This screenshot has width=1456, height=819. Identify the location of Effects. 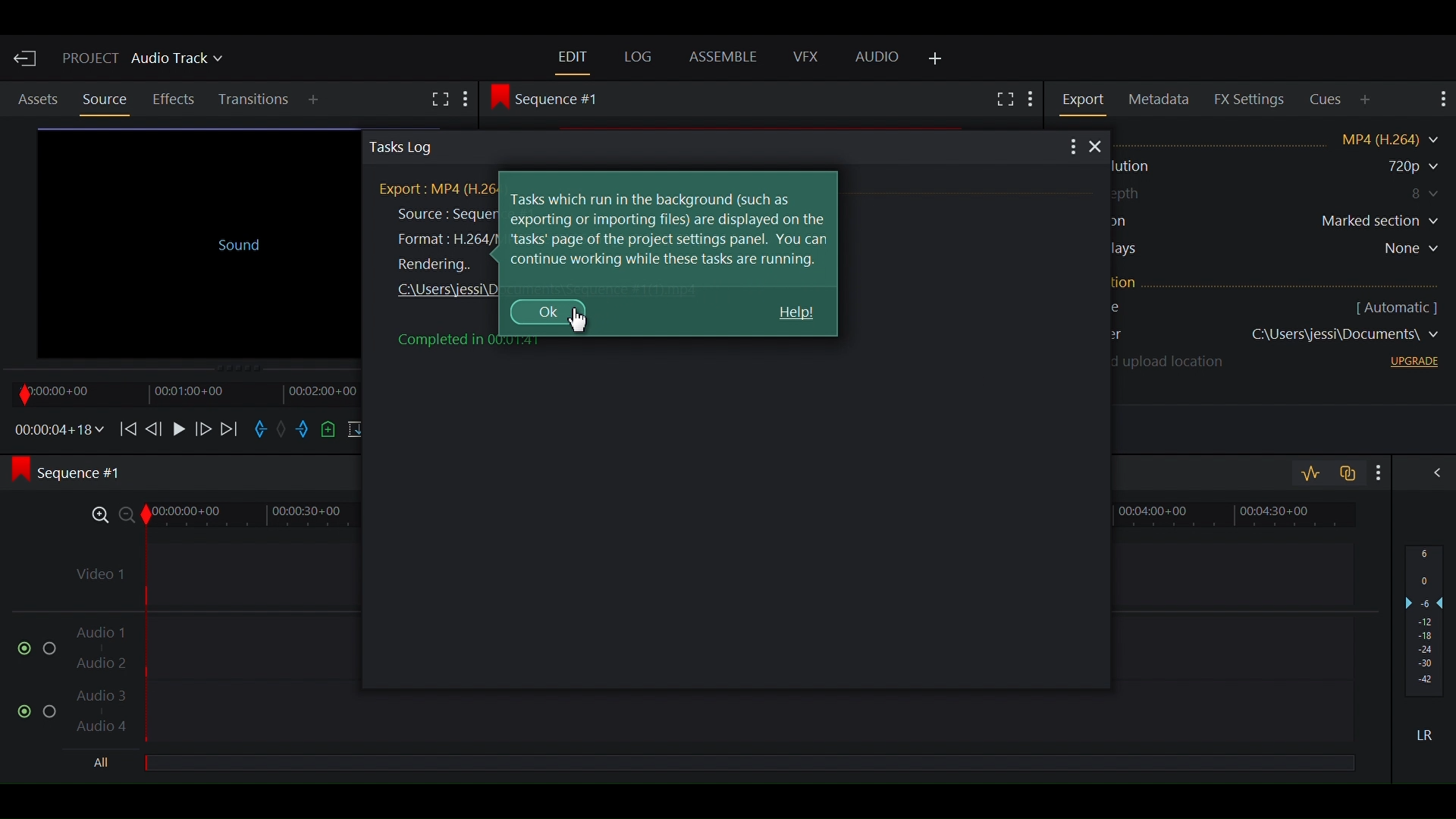
(176, 99).